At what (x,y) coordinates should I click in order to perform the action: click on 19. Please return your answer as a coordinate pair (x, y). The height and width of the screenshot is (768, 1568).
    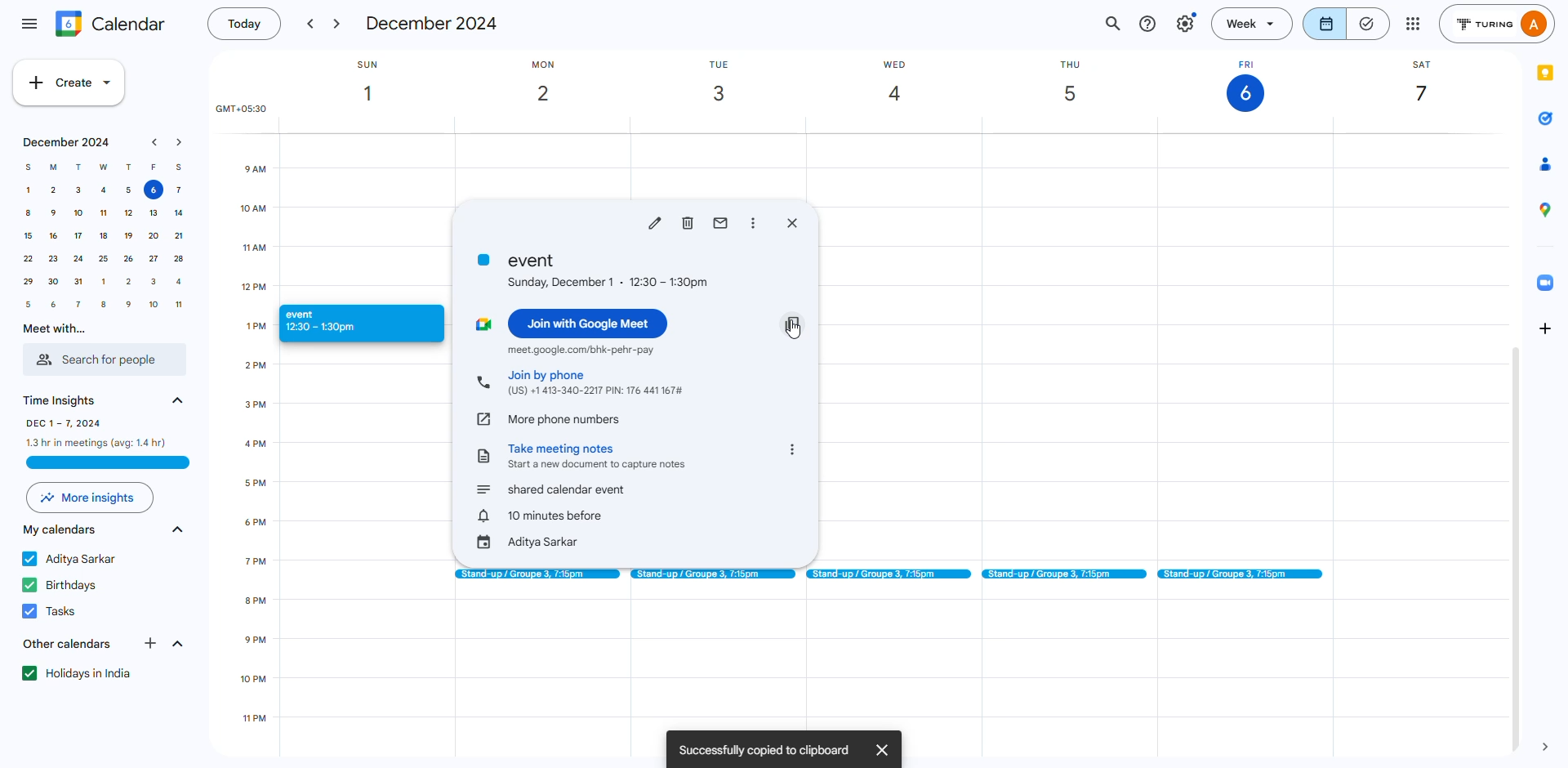
    Looking at the image, I should click on (127, 236).